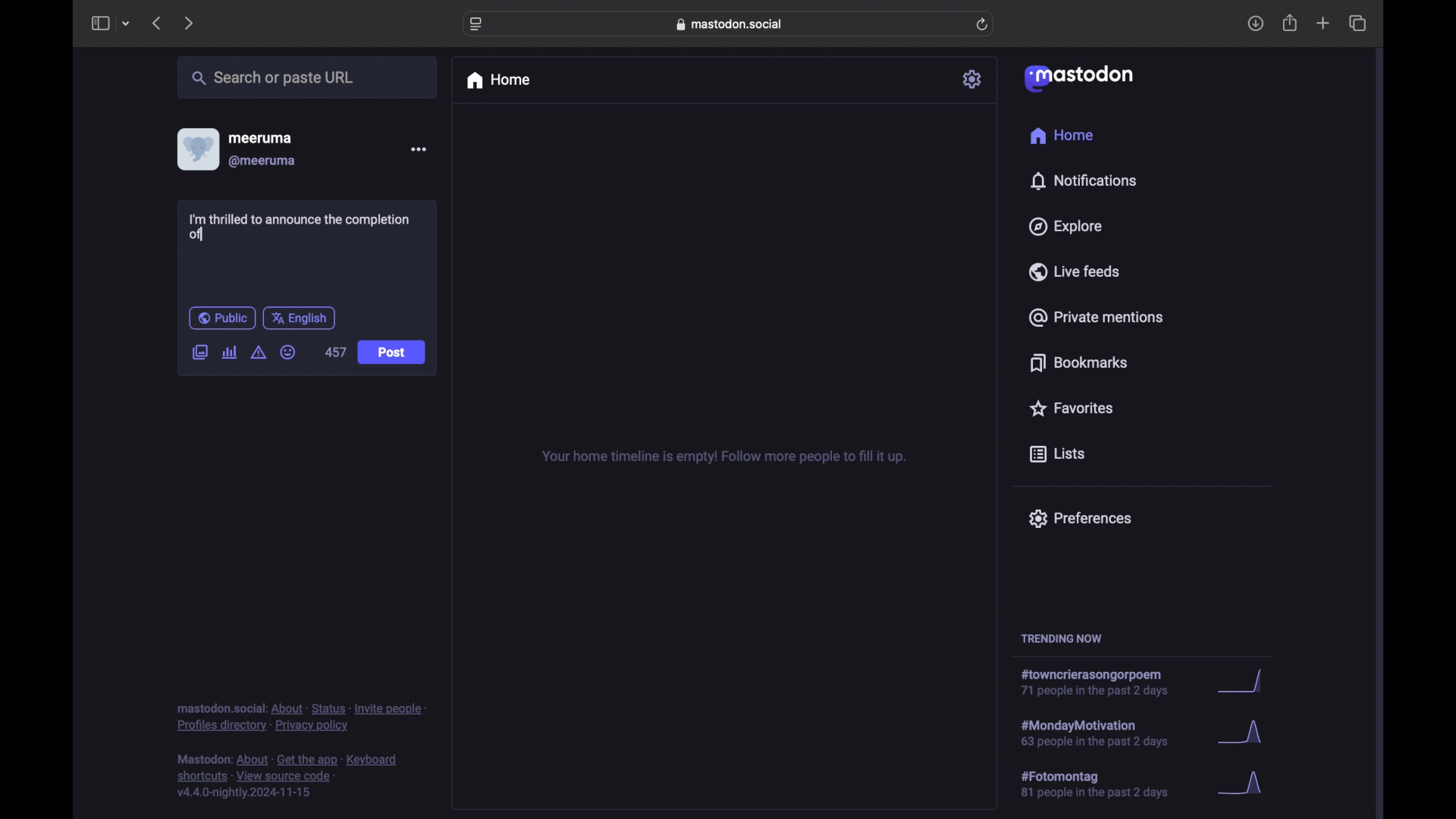 The width and height of the screenshot is (1456, 819). What do you see at coordinates (1109, 732) in the screenshot?
I see `hashtag  trend` at bounding box center [1109, 732].